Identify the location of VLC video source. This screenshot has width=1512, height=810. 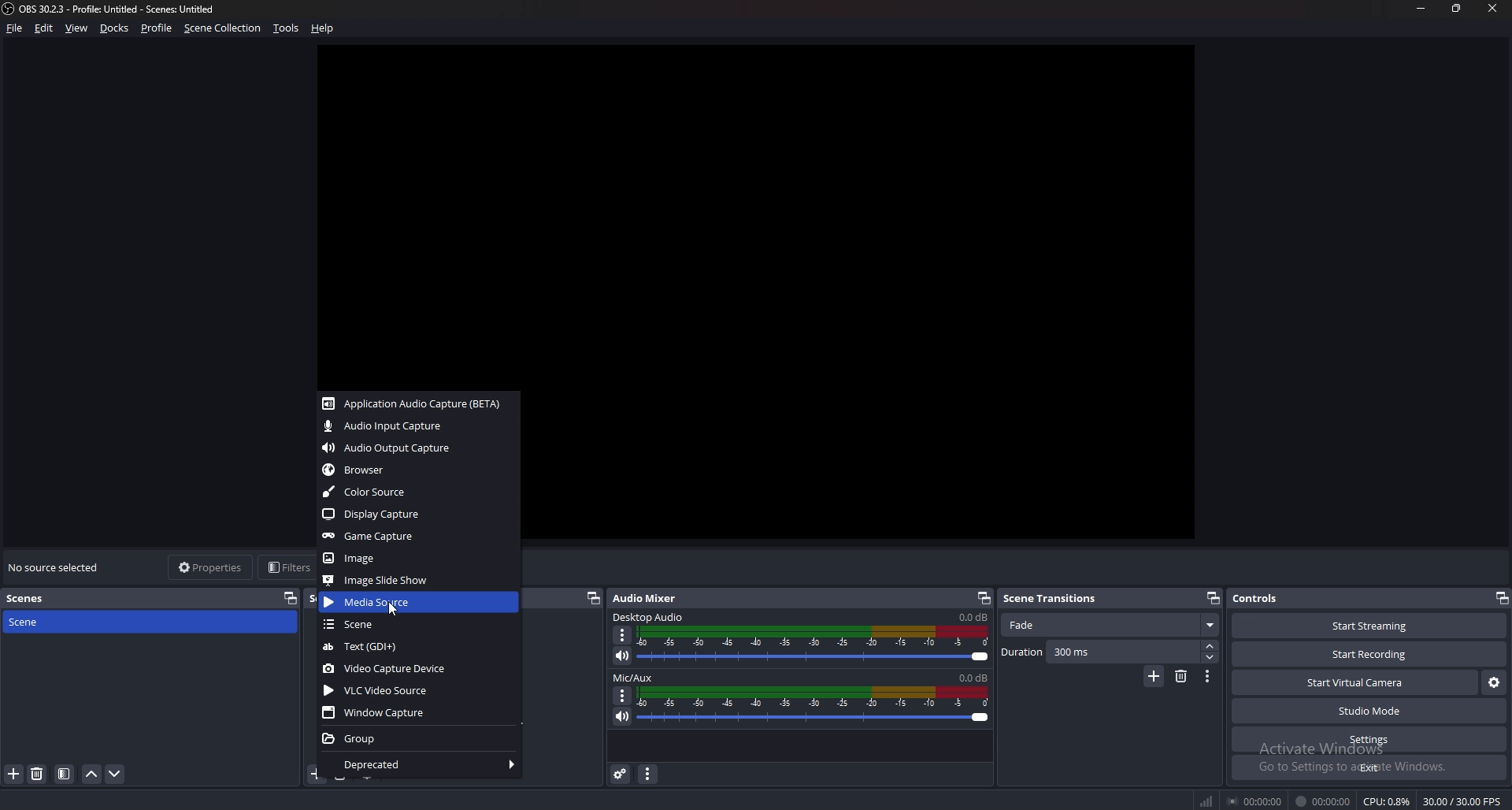
(420, 690).